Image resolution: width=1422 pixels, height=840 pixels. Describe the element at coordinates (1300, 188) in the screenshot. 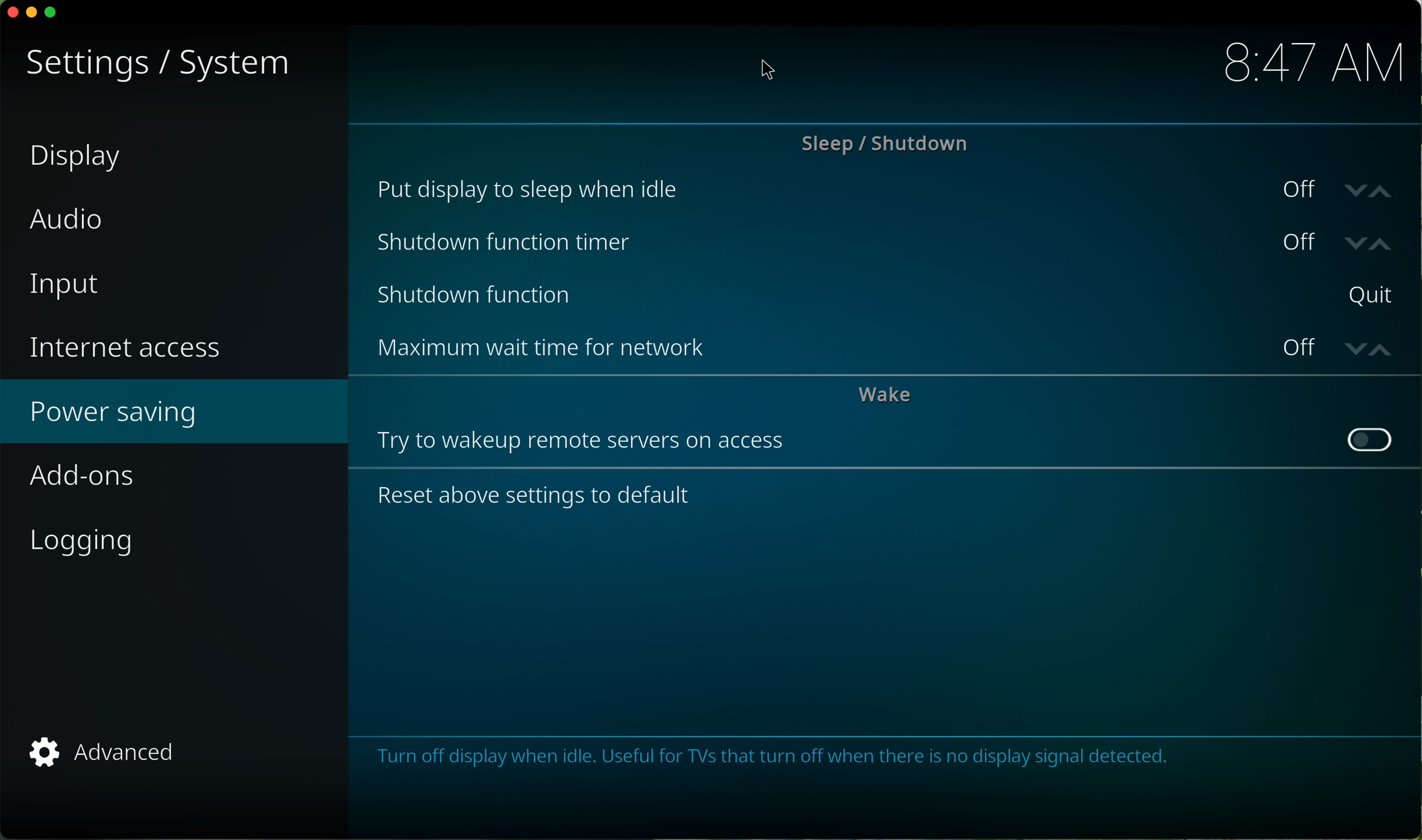

I see `off` at that location.